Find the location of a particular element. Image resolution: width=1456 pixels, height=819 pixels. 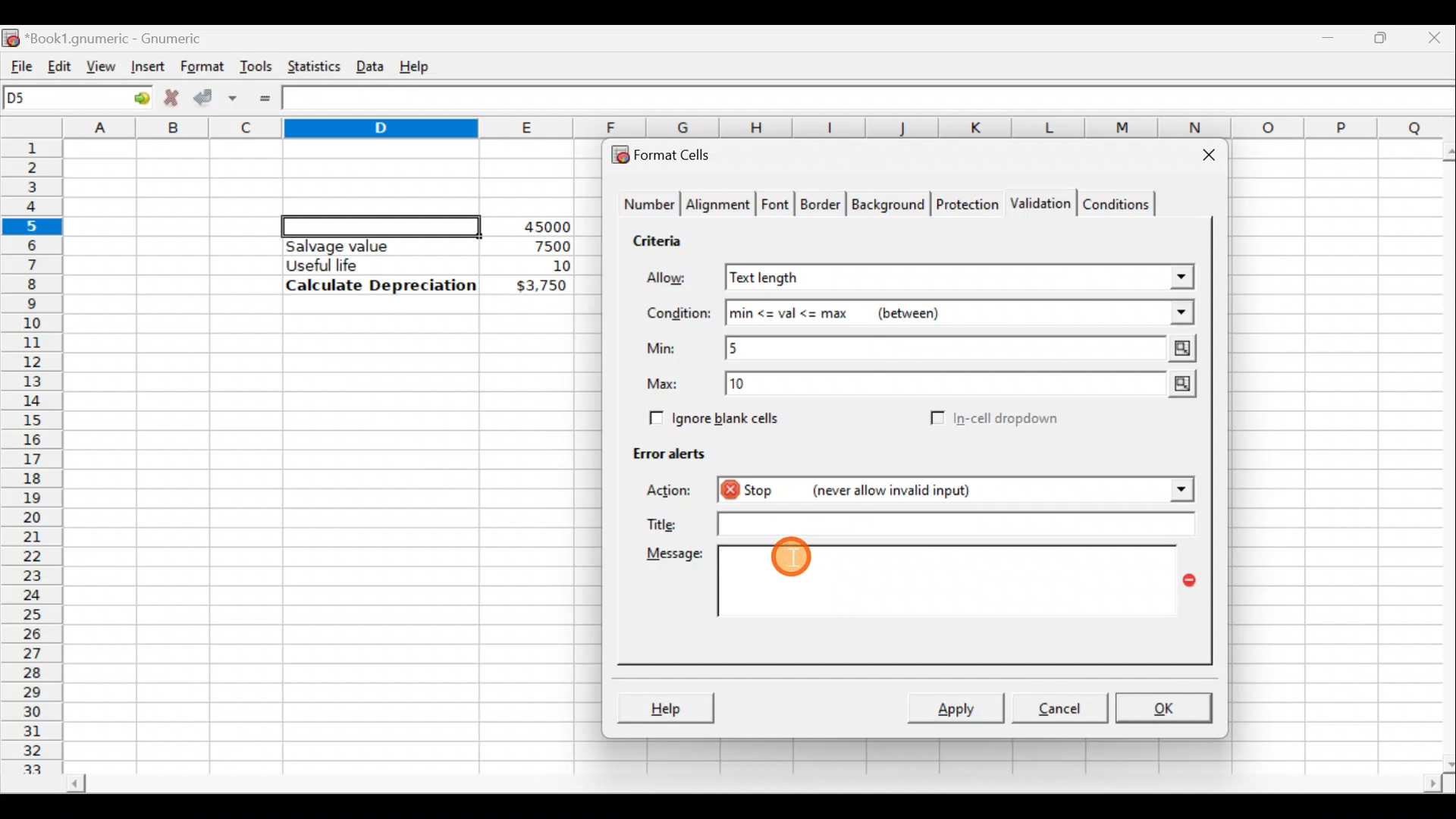

In-cell dropdown is located at coordinates (1009, 419).